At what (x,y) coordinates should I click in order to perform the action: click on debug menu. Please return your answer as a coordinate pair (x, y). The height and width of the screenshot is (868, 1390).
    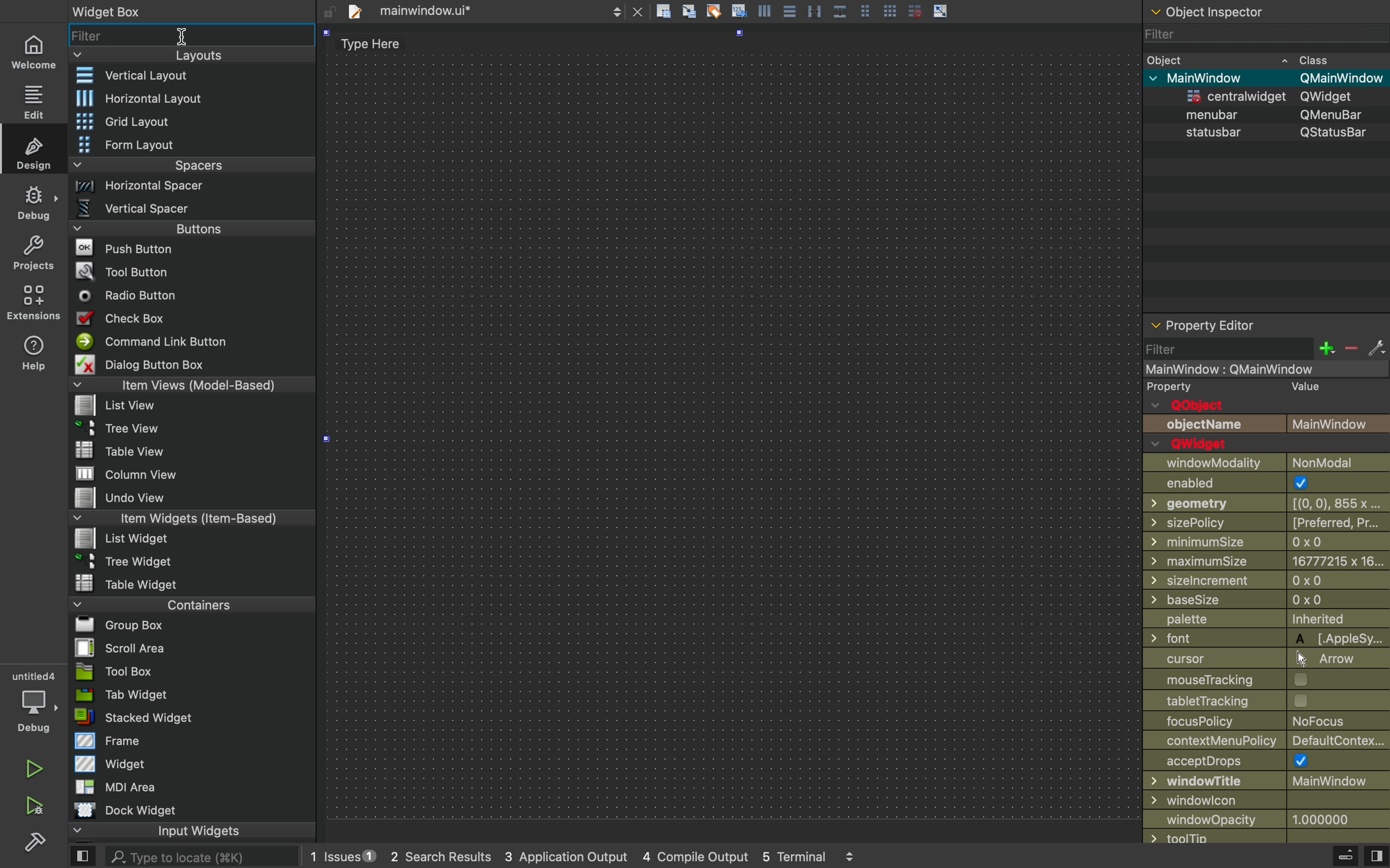
    Looking at the image, I should click on (1332, 857).